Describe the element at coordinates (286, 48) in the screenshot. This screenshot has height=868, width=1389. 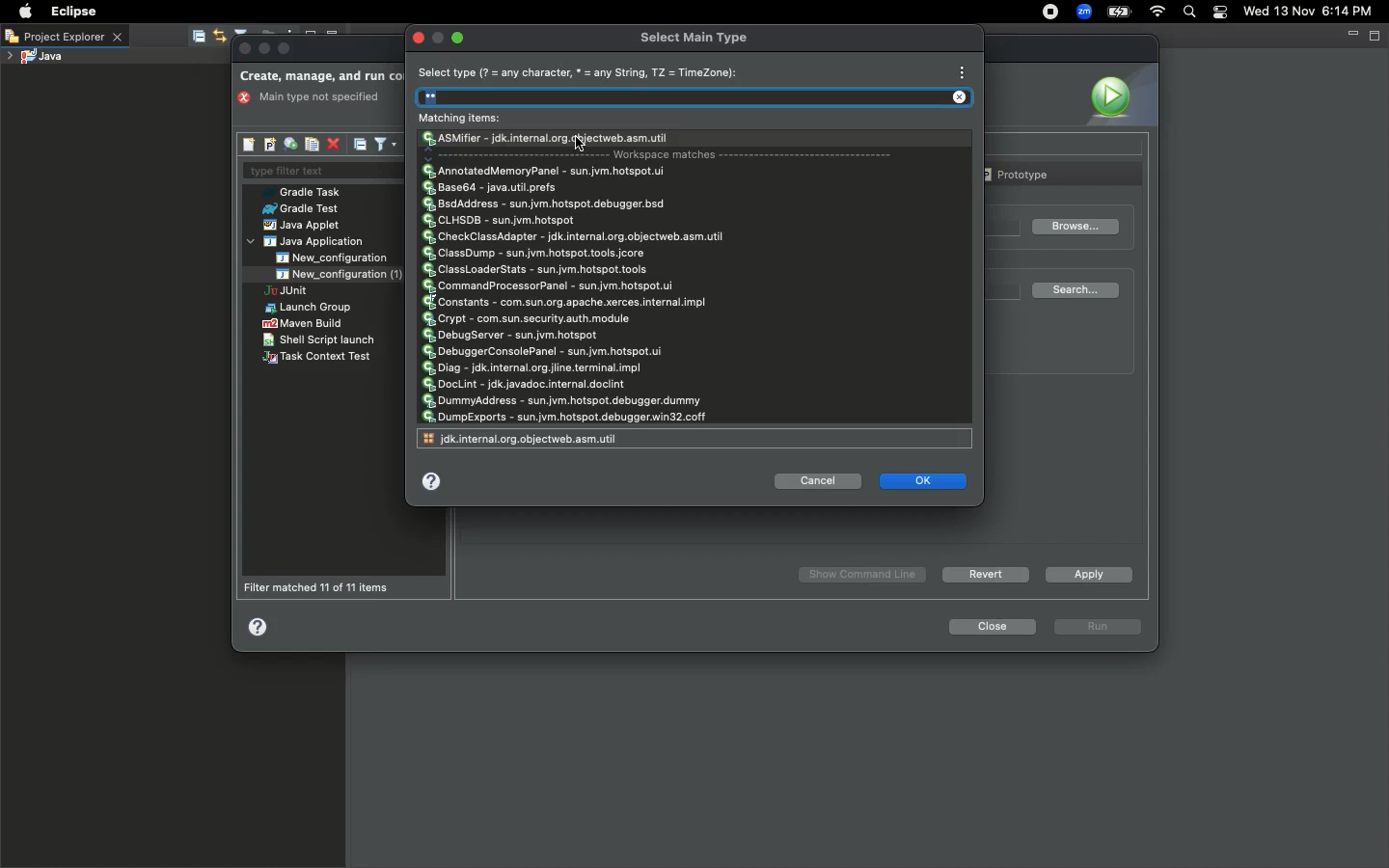
I see `Maximize` at that location.